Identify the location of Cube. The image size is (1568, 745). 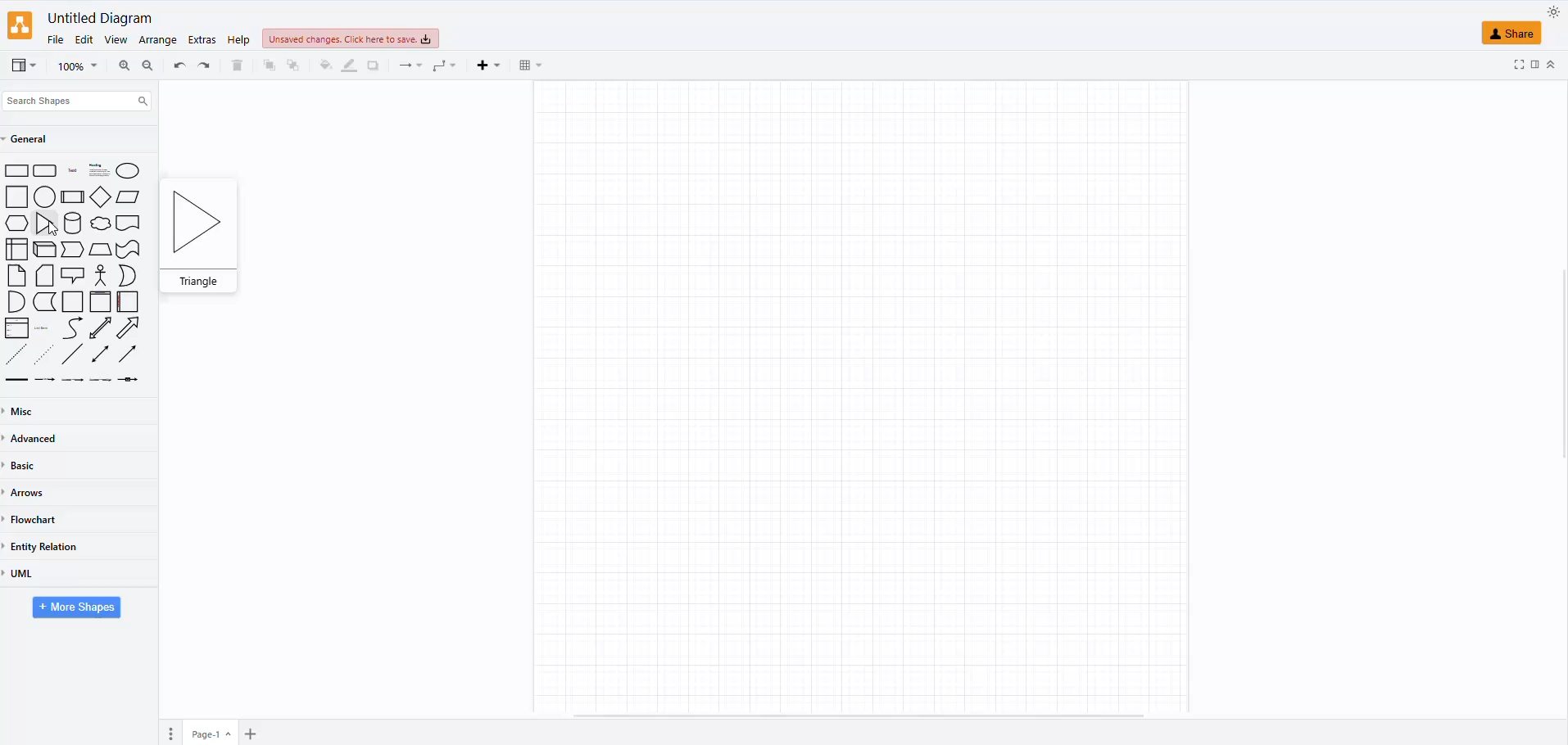
(46, 250).